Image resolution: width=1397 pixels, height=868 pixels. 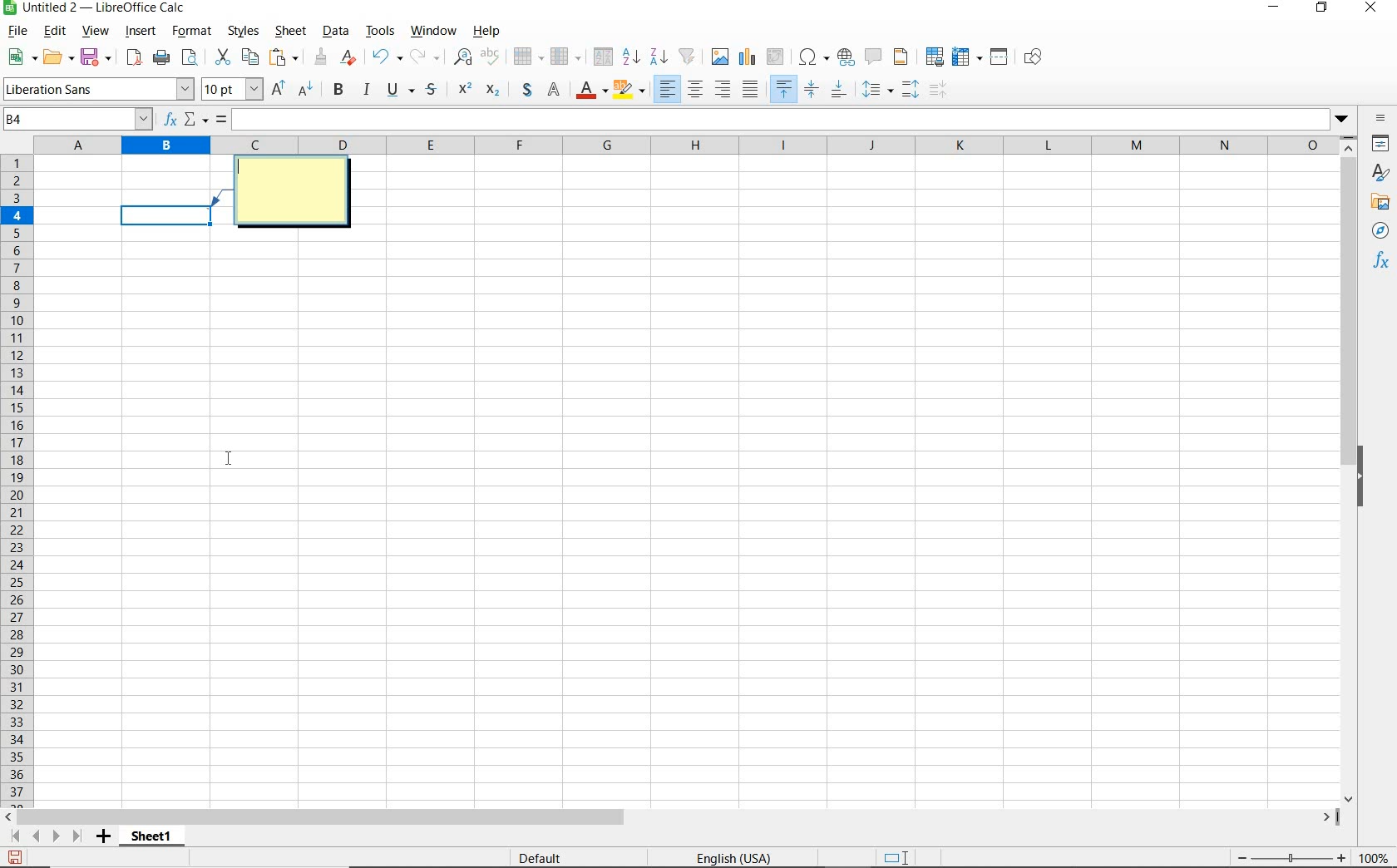 What do you see at coordinates (1081, 857) in the screenshot?
I see `Average:; Sum:0` at bounding box center [1081, 857].